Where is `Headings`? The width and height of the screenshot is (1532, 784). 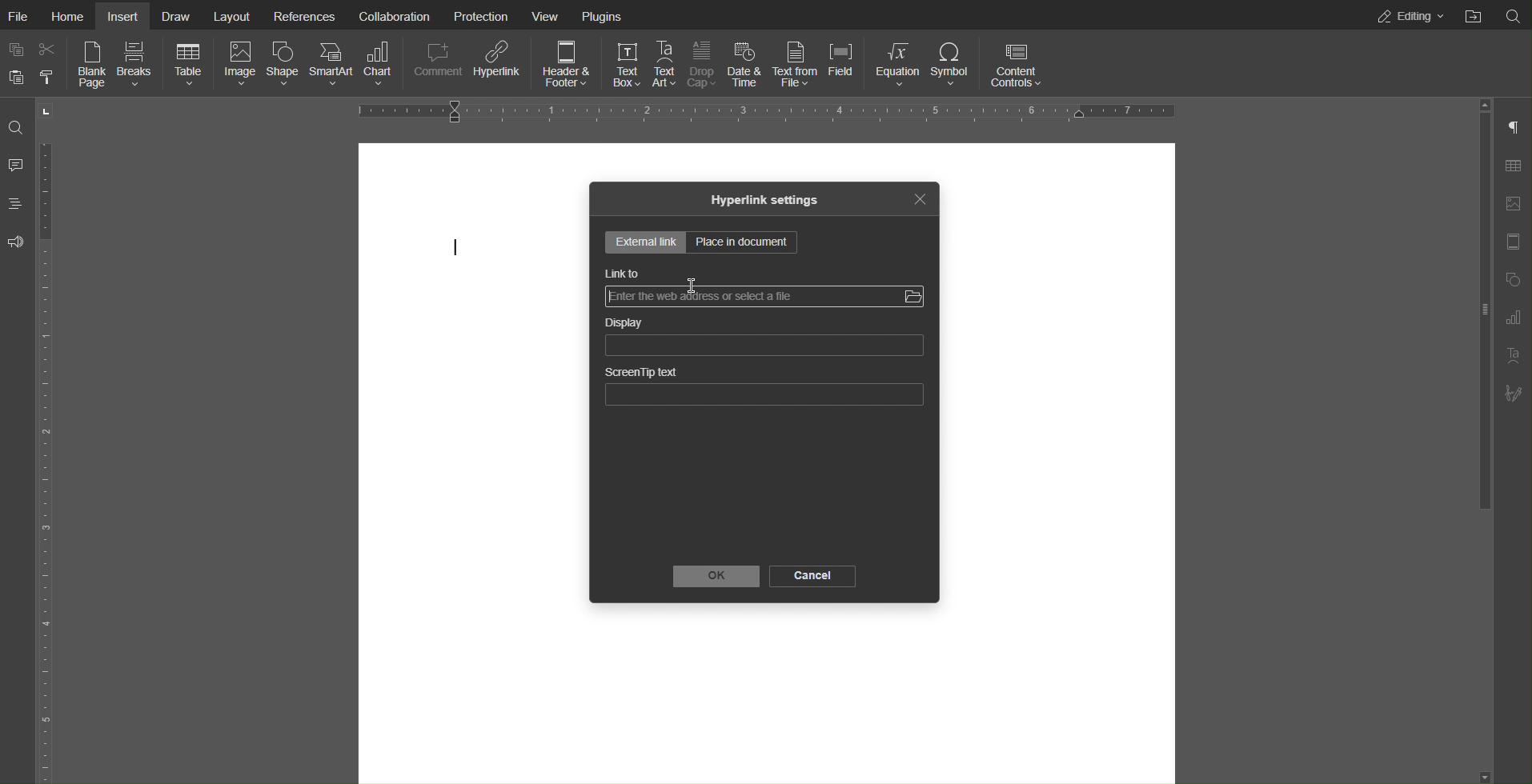
Headings is located at coordinates (14, 204).